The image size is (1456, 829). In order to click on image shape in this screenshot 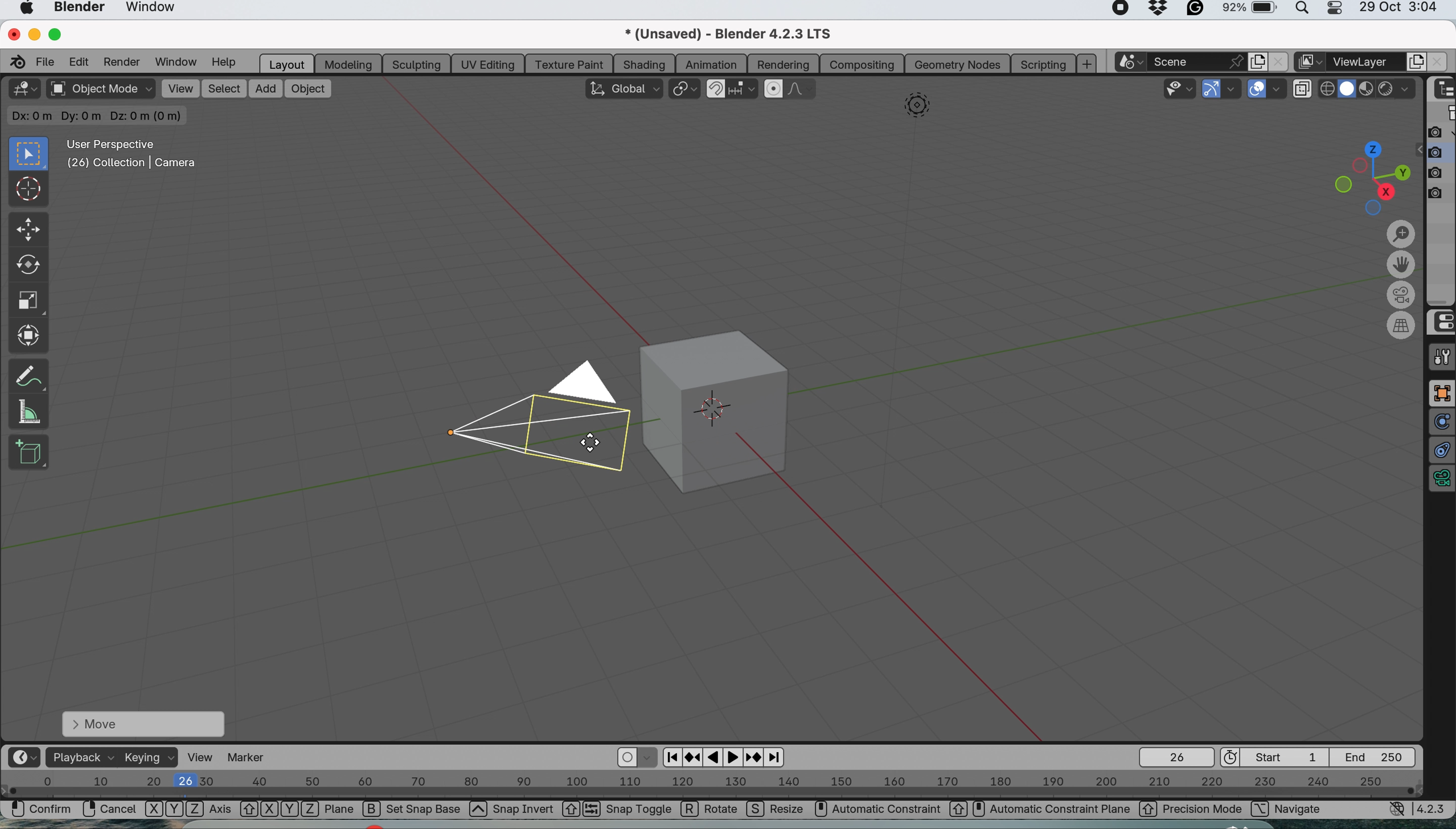, I will do `click(917, 108)`.